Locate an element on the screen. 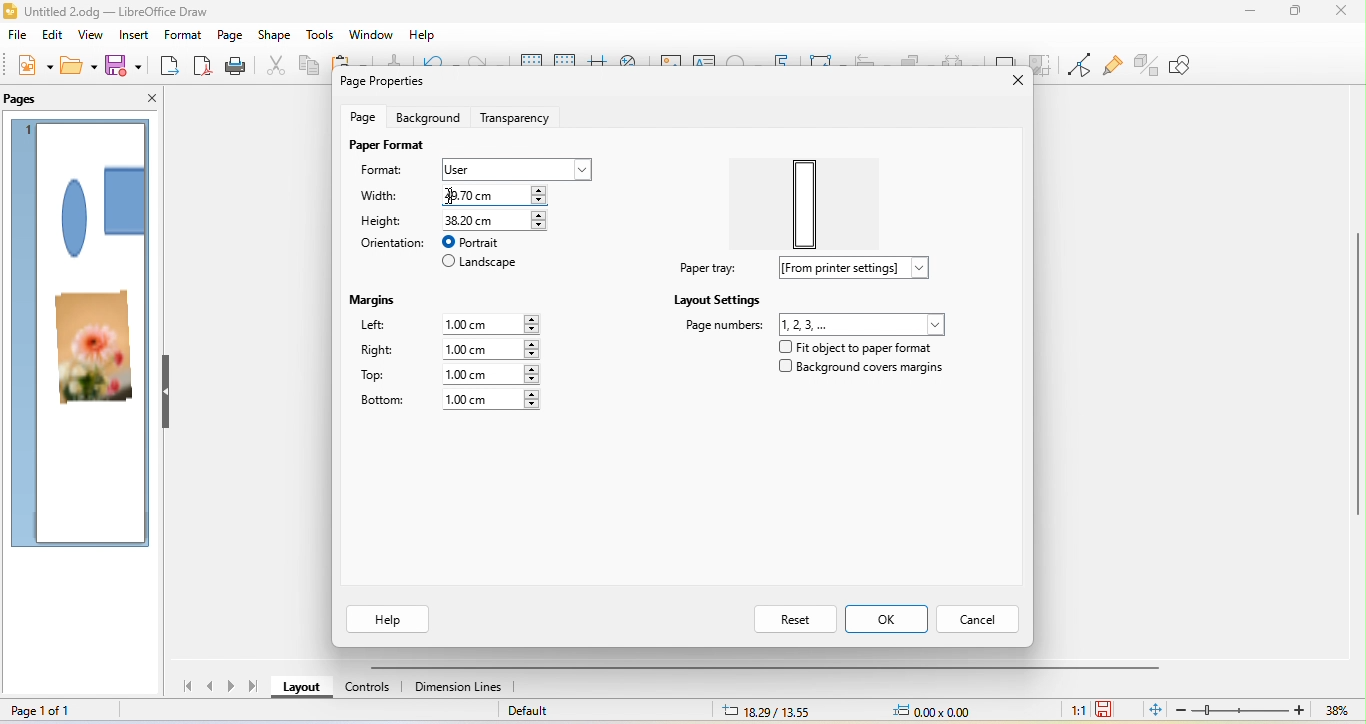 This screenshot has height=724, width=1366. maximize is located at coordinates (1294, 16).